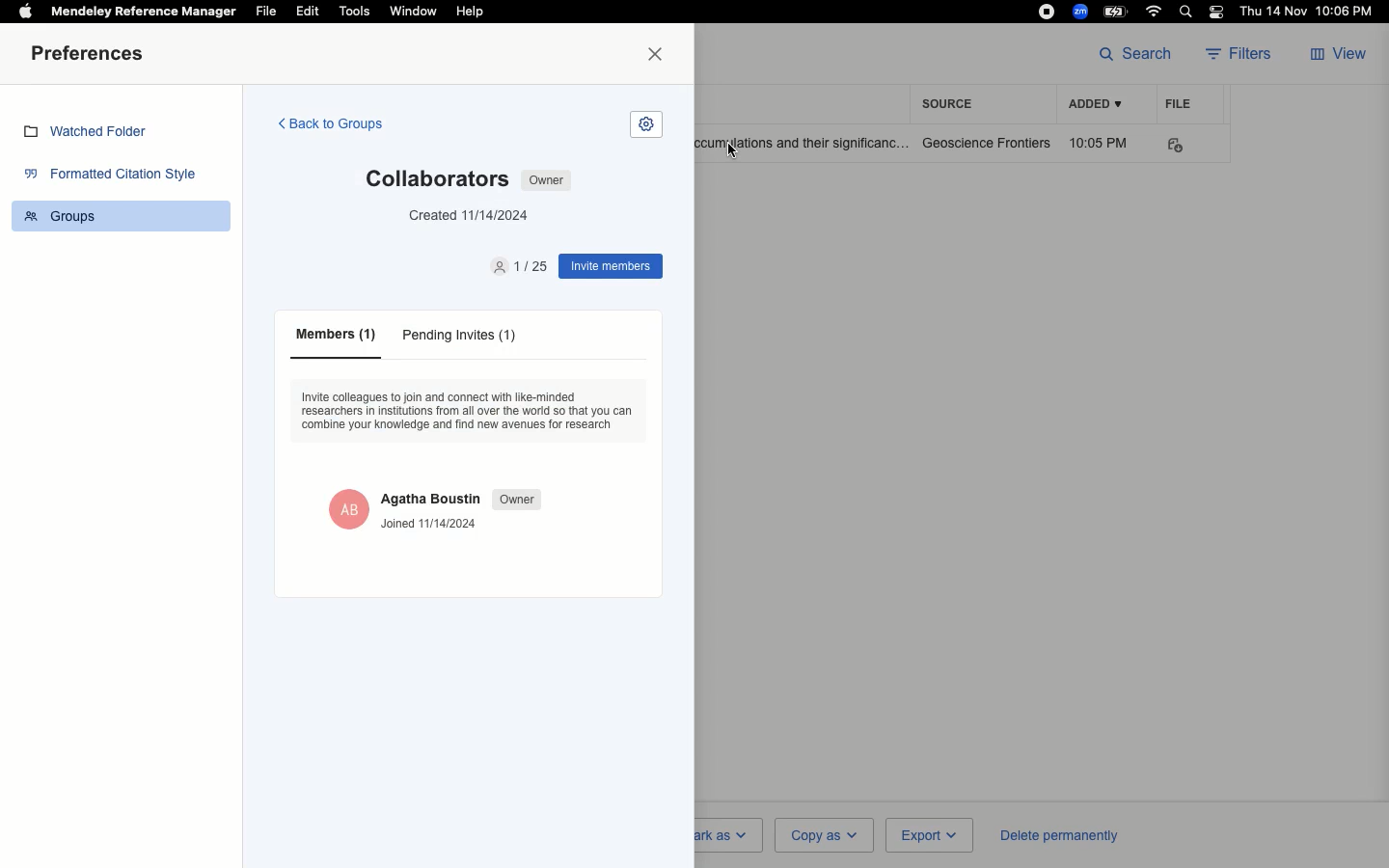  Describe the element at coordinates (1244, 55) in the screenshot. I see `Filters` at that location.